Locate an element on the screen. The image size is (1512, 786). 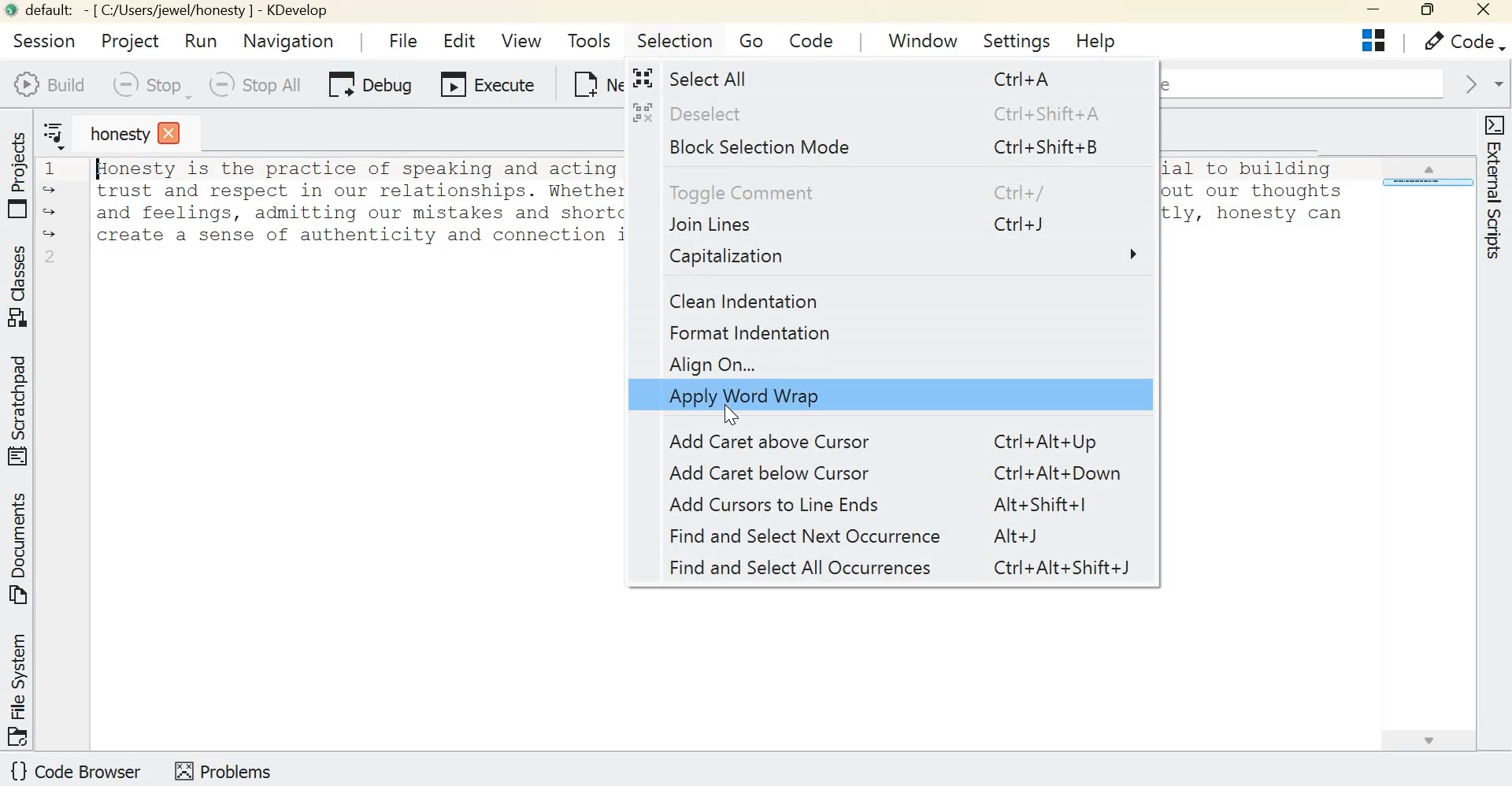
Format indentation is located at coordinates (762, 336).